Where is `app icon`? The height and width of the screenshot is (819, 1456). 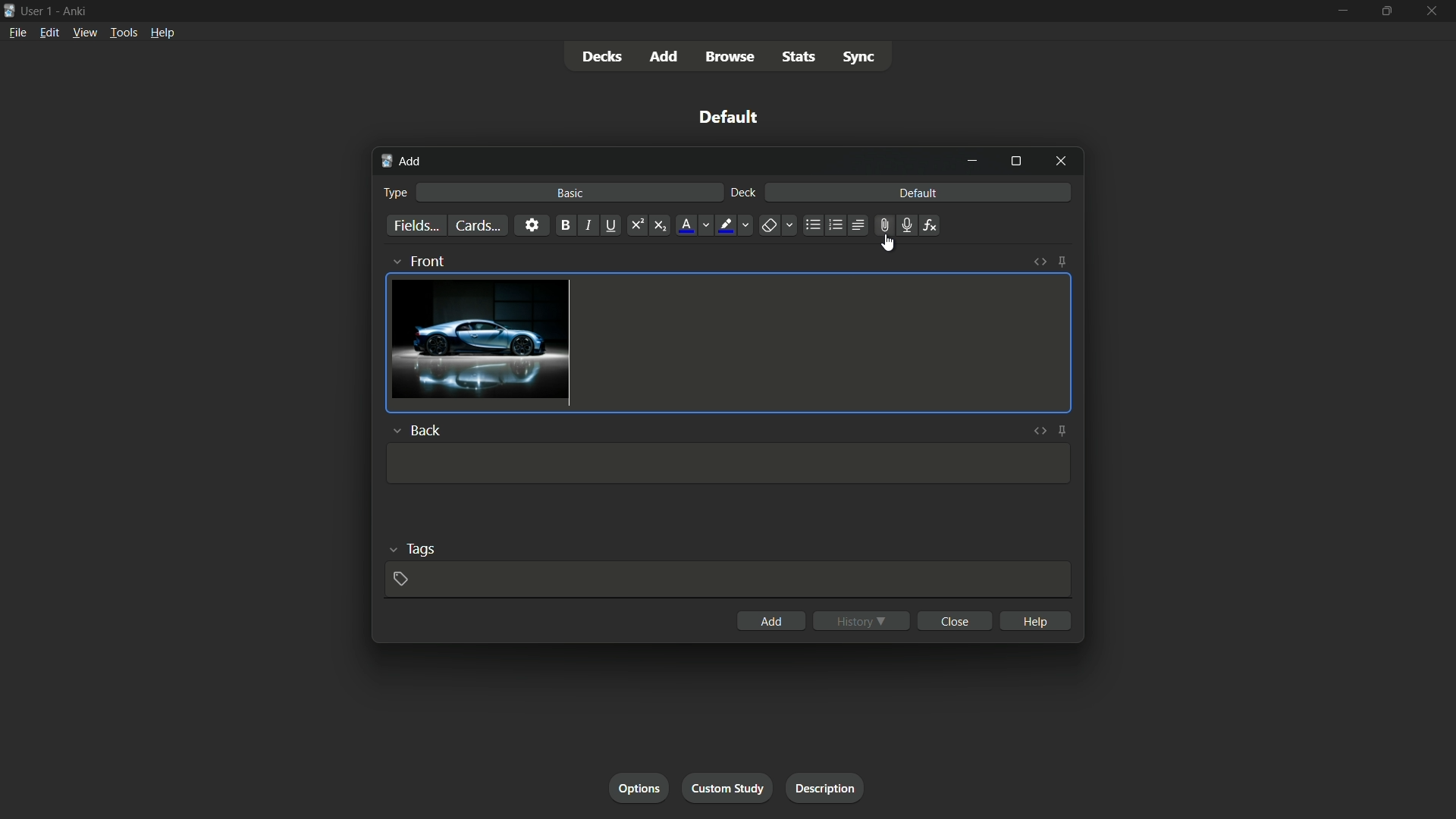 app icon is located at coordinates (9, 11).